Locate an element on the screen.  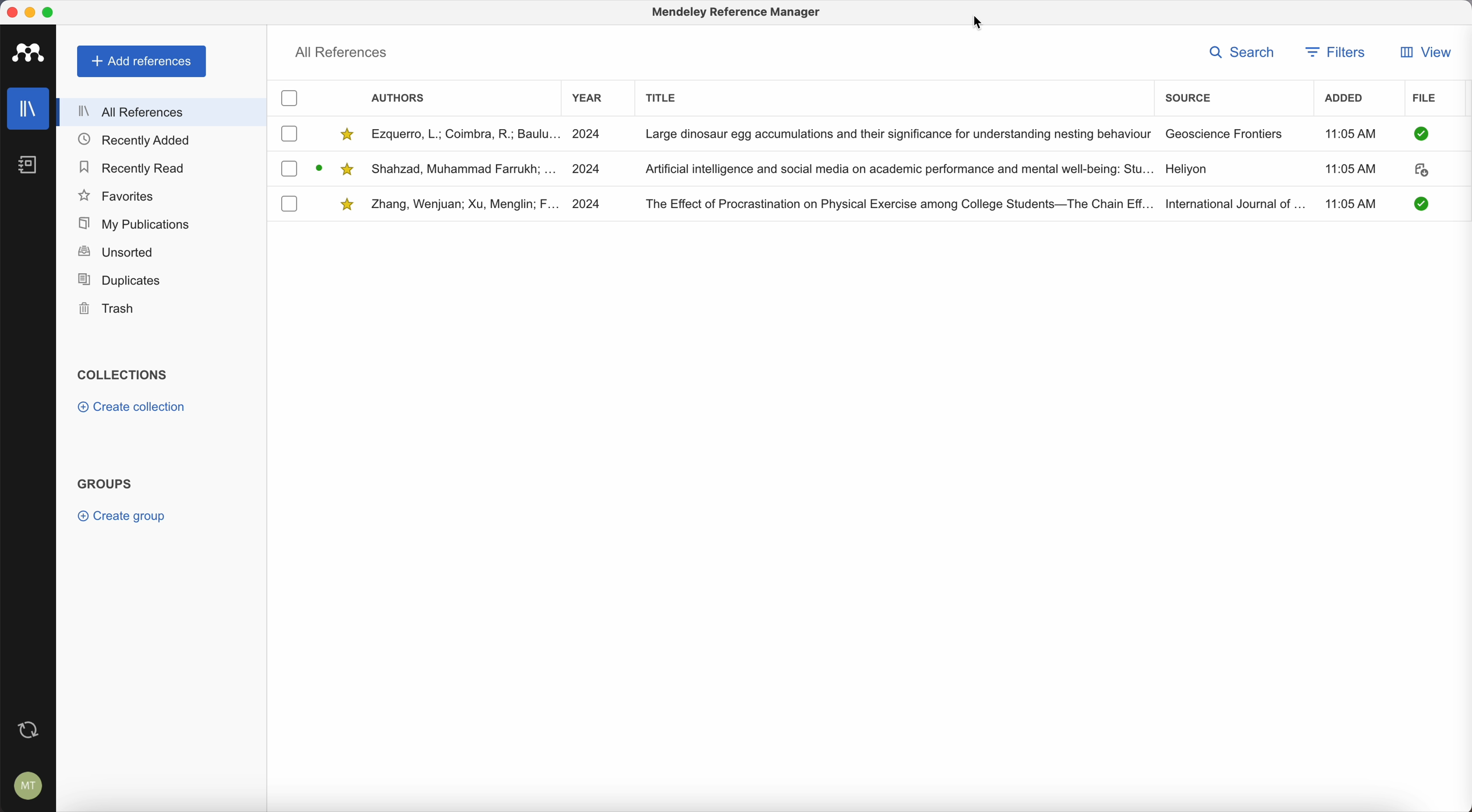
Artificial Intelligence and social media on academic performance and mental well-being is located at coordinates (899, 169).